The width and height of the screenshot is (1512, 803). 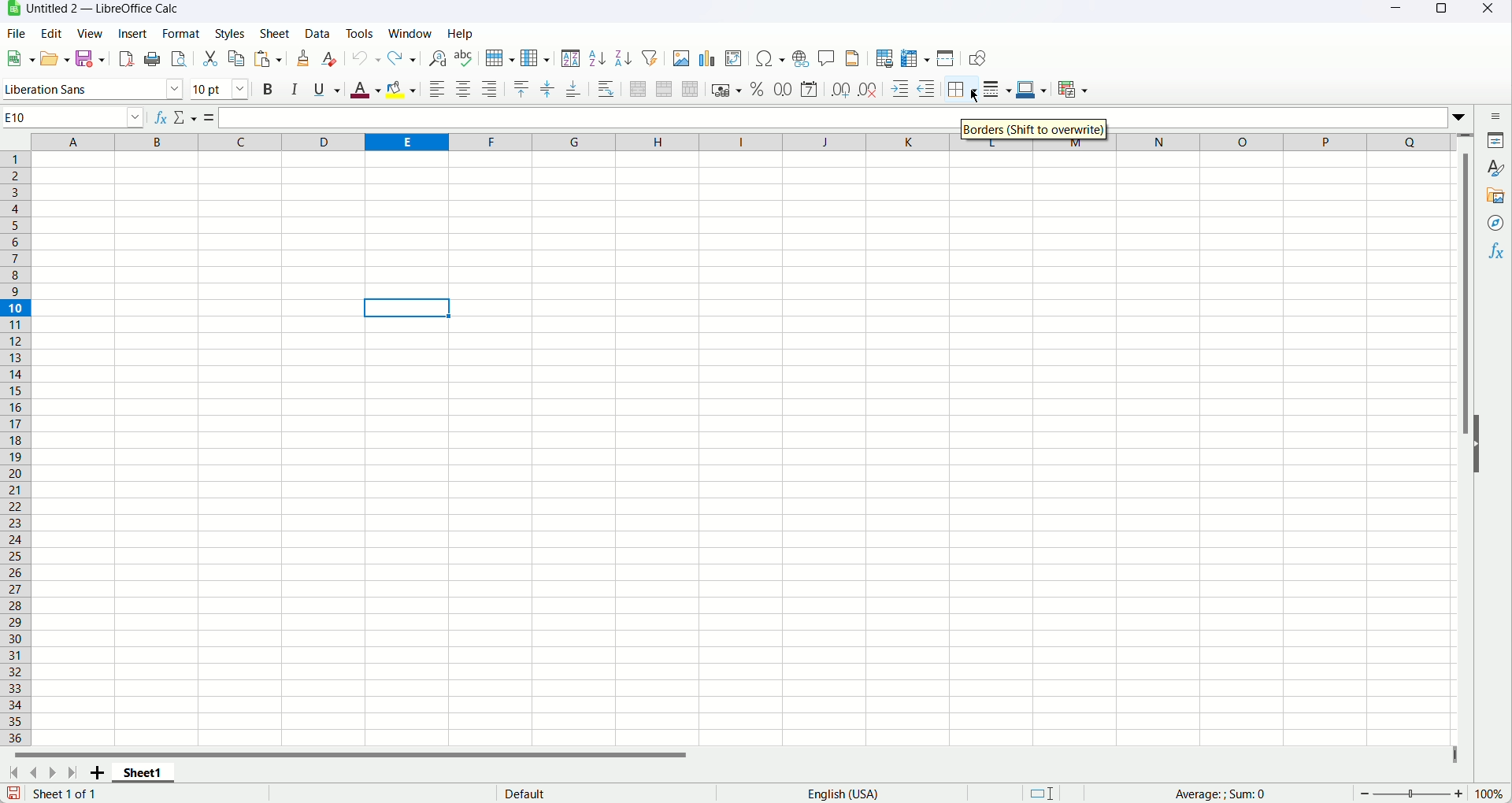 I want to click on File, so click(x=17, y=32).